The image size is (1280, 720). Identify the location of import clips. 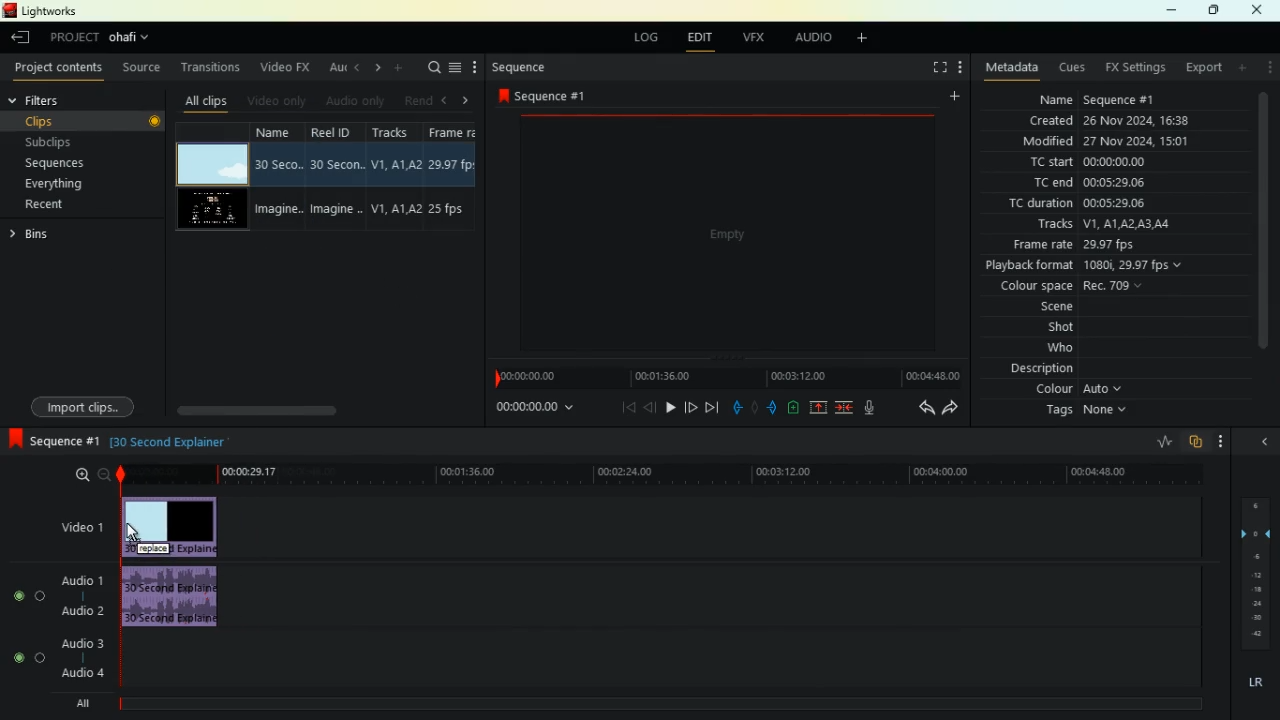
(83, 405).